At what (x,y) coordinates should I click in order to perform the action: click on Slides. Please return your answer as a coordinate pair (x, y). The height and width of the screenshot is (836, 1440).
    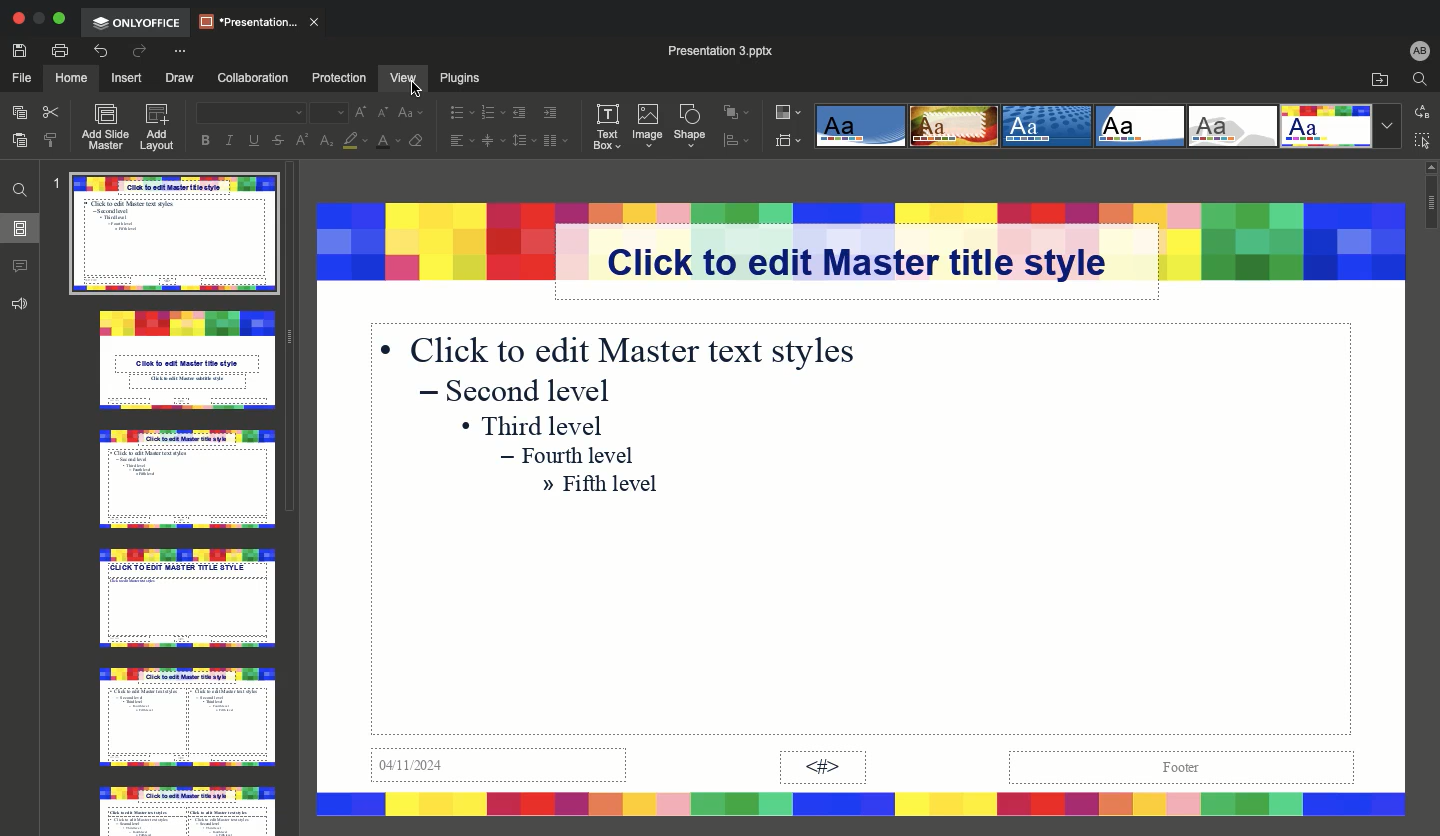
    Looking at the image, I should click on (20, 228).